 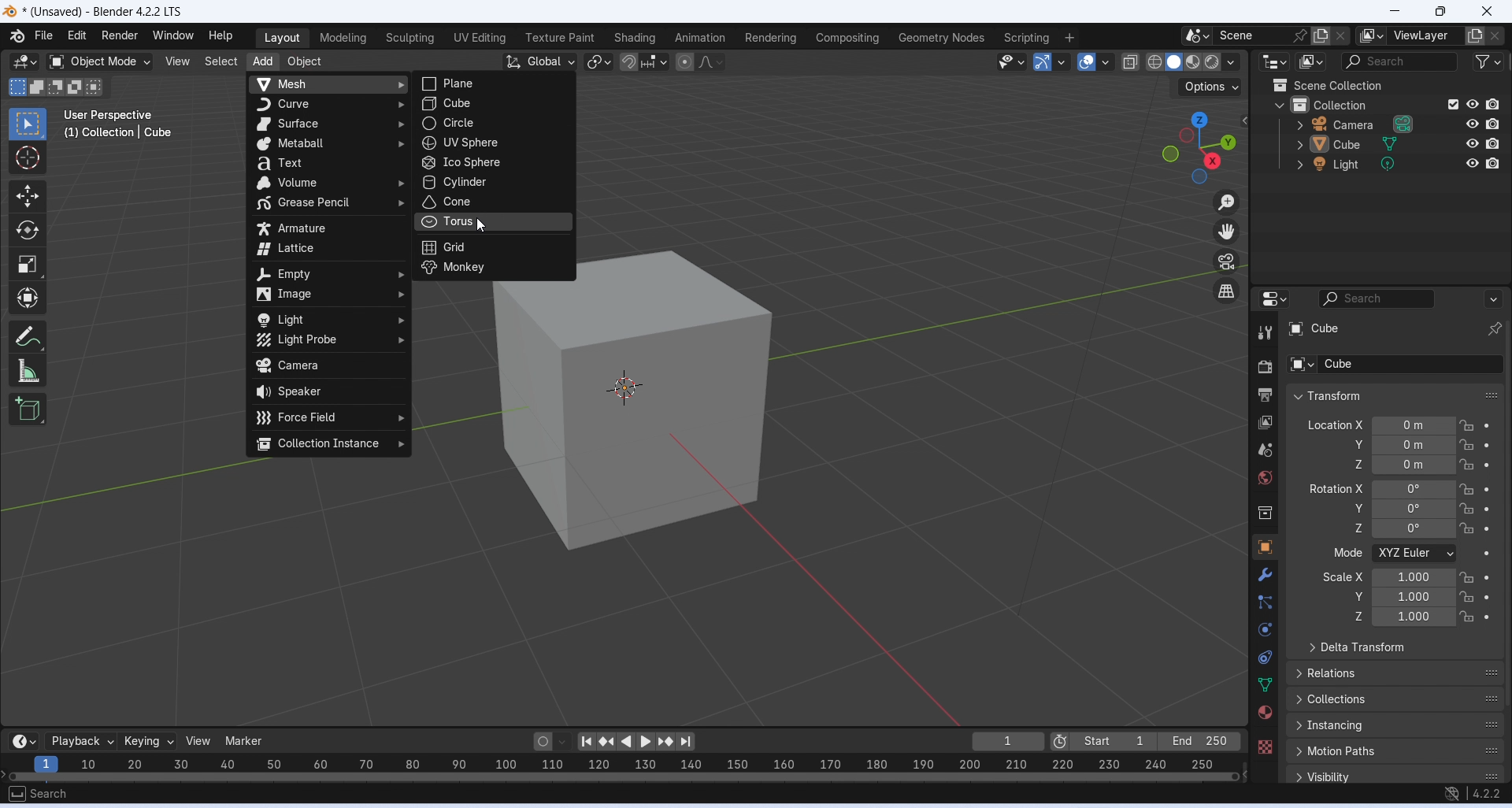 I want to click on Options, so click(x=1207, y=86).